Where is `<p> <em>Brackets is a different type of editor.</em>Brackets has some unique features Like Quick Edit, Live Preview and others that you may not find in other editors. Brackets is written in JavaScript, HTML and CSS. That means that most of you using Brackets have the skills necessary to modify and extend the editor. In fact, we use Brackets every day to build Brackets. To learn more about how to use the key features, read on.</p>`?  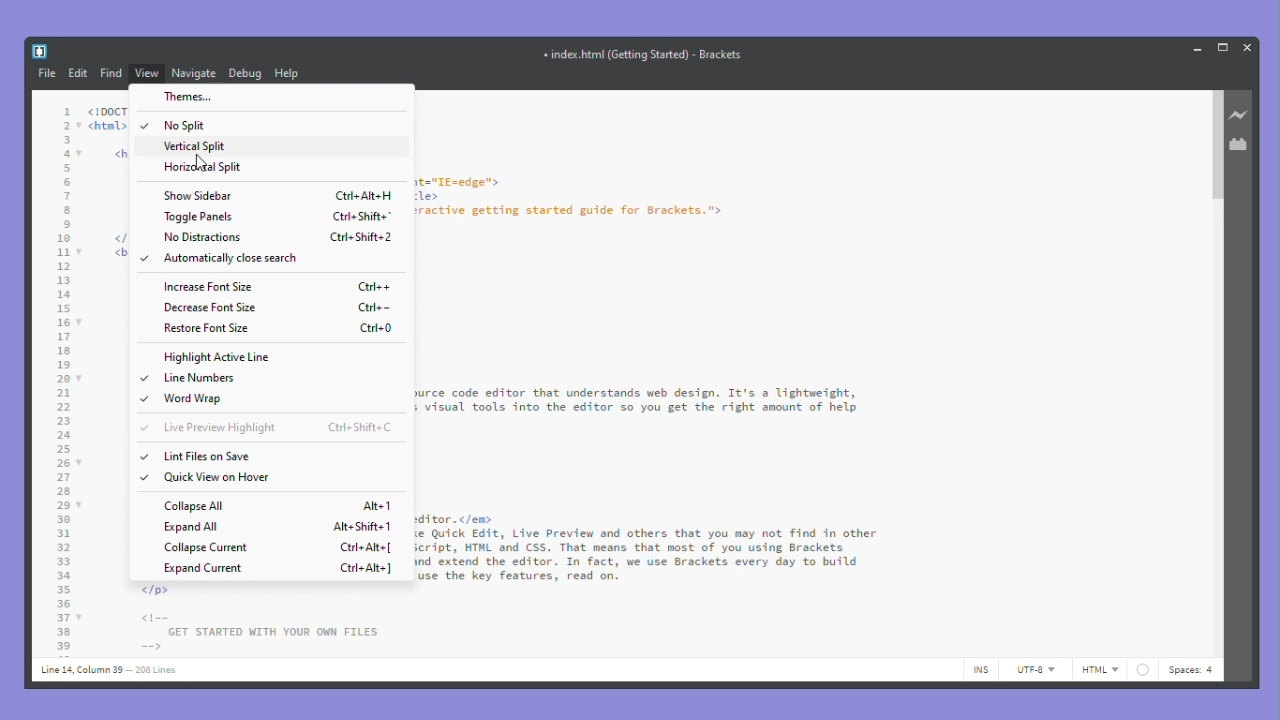
<p> <em>Brackets is a different type of editor.</em>Brackets has some unique features Like Quick Edit, Live Preview and others that you may not find in other editors. Brackets is written in JavaScript, HTML and CSS. That means that most of you using Brackets have the skills necessary to modify and extend the editor. In fact, we use Brackets every day to build Brackets. To learn more about how to use the key features, read on.</p> is located at coordinates (647, 549).